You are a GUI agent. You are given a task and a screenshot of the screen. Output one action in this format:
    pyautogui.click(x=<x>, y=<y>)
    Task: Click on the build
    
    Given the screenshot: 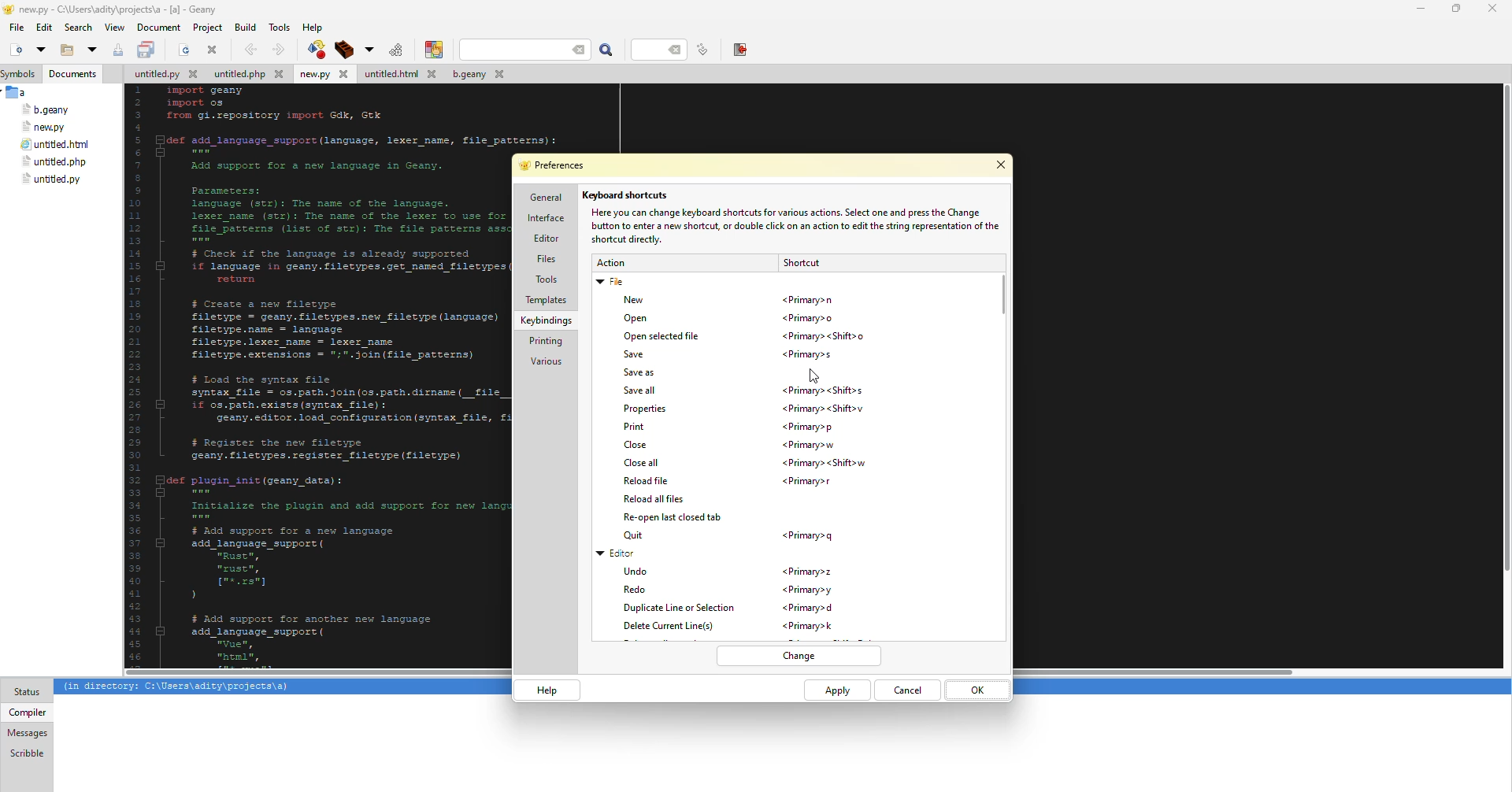 What is the action you would take?
    pyautogui.click(x=342, y=50)
    